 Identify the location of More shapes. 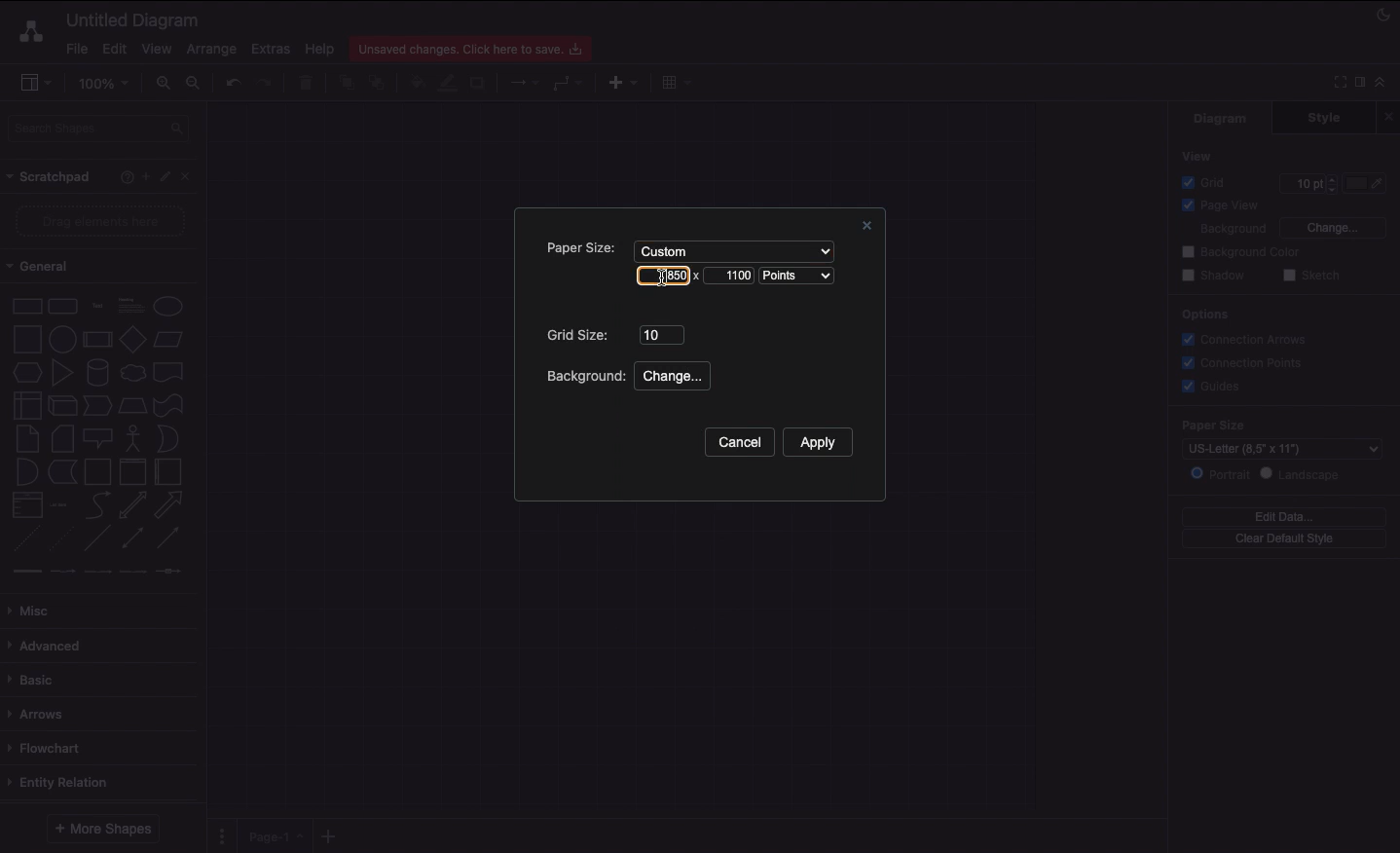
(101, 829).